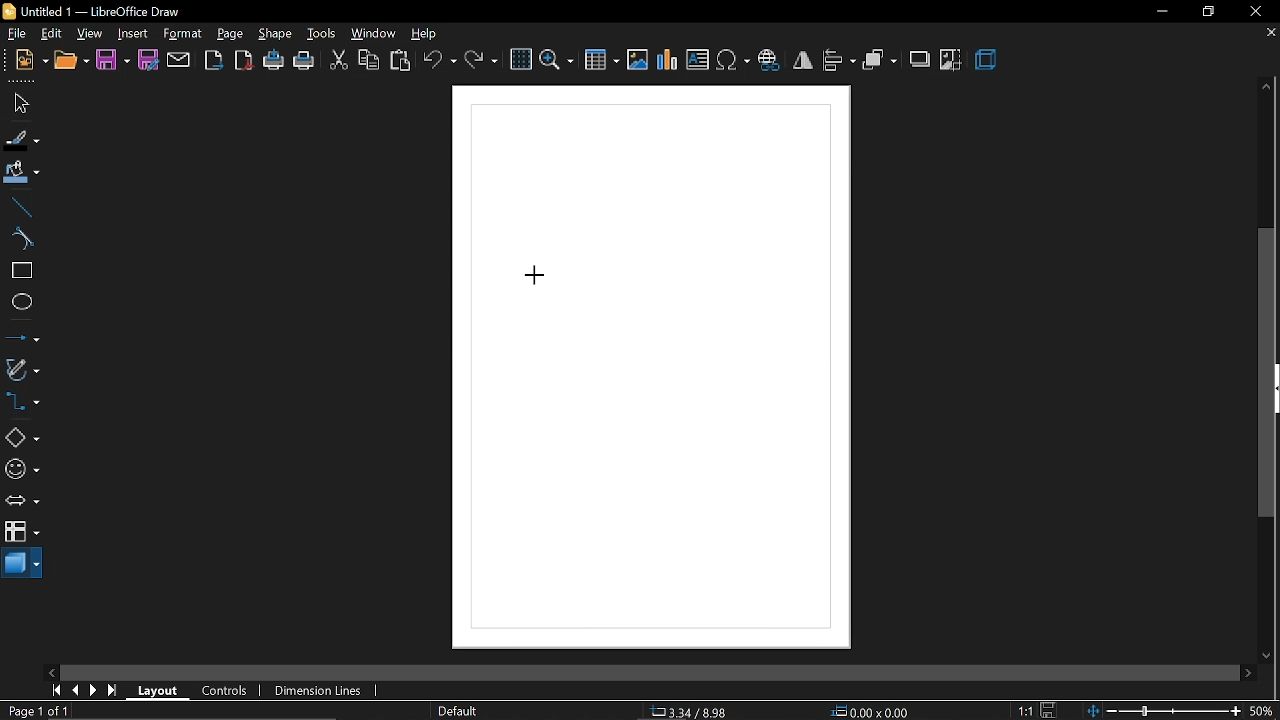 The image size is (1280, 720). What do you see at coordinates (91, 34) in the screenshot?
I see `view` at bounding box center [91, 34].